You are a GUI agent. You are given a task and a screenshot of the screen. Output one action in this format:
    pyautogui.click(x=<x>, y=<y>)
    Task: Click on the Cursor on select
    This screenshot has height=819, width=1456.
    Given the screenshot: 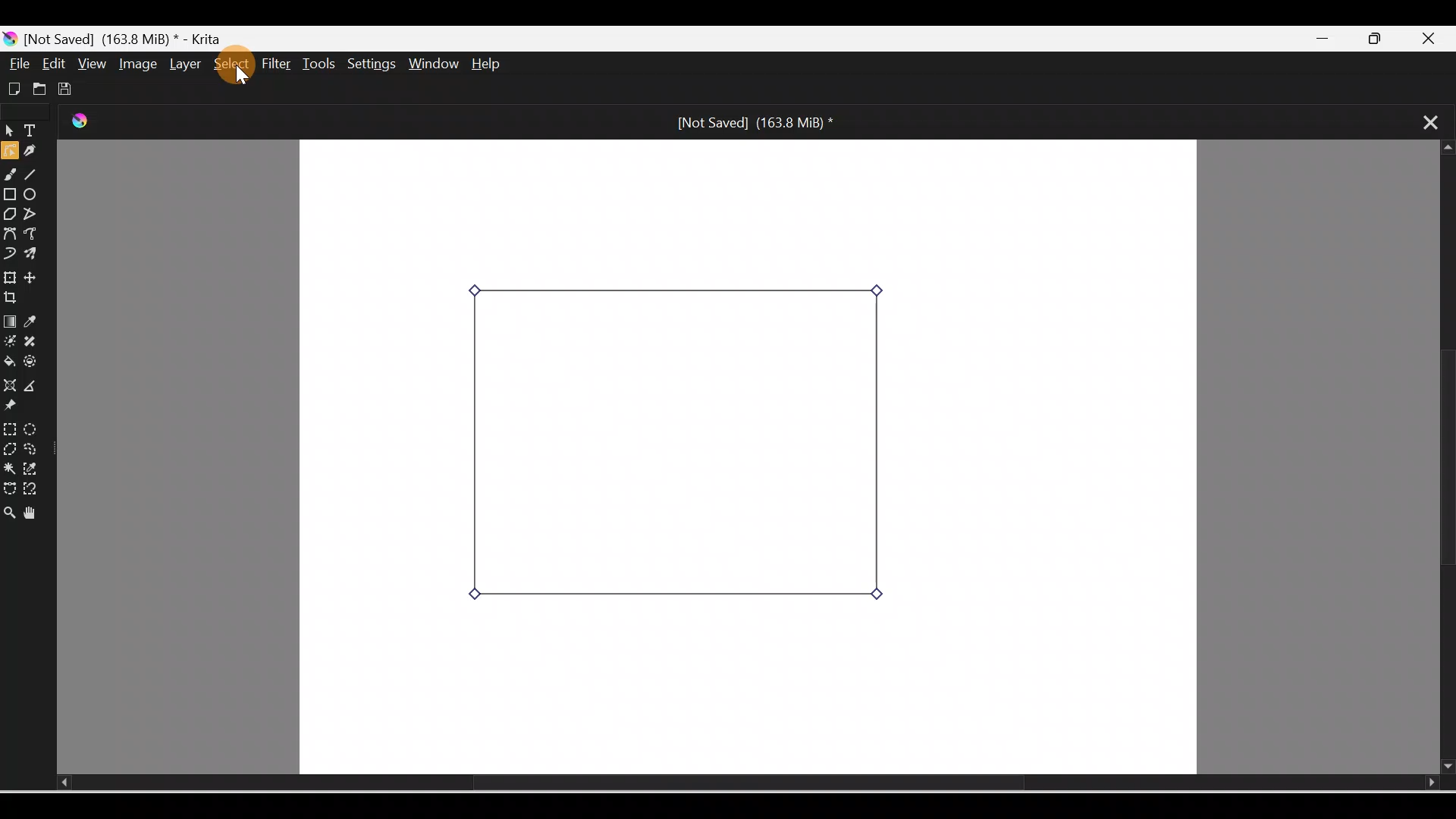 What is the action you would take?
    pyautogui.click(x=240, y=70)
    